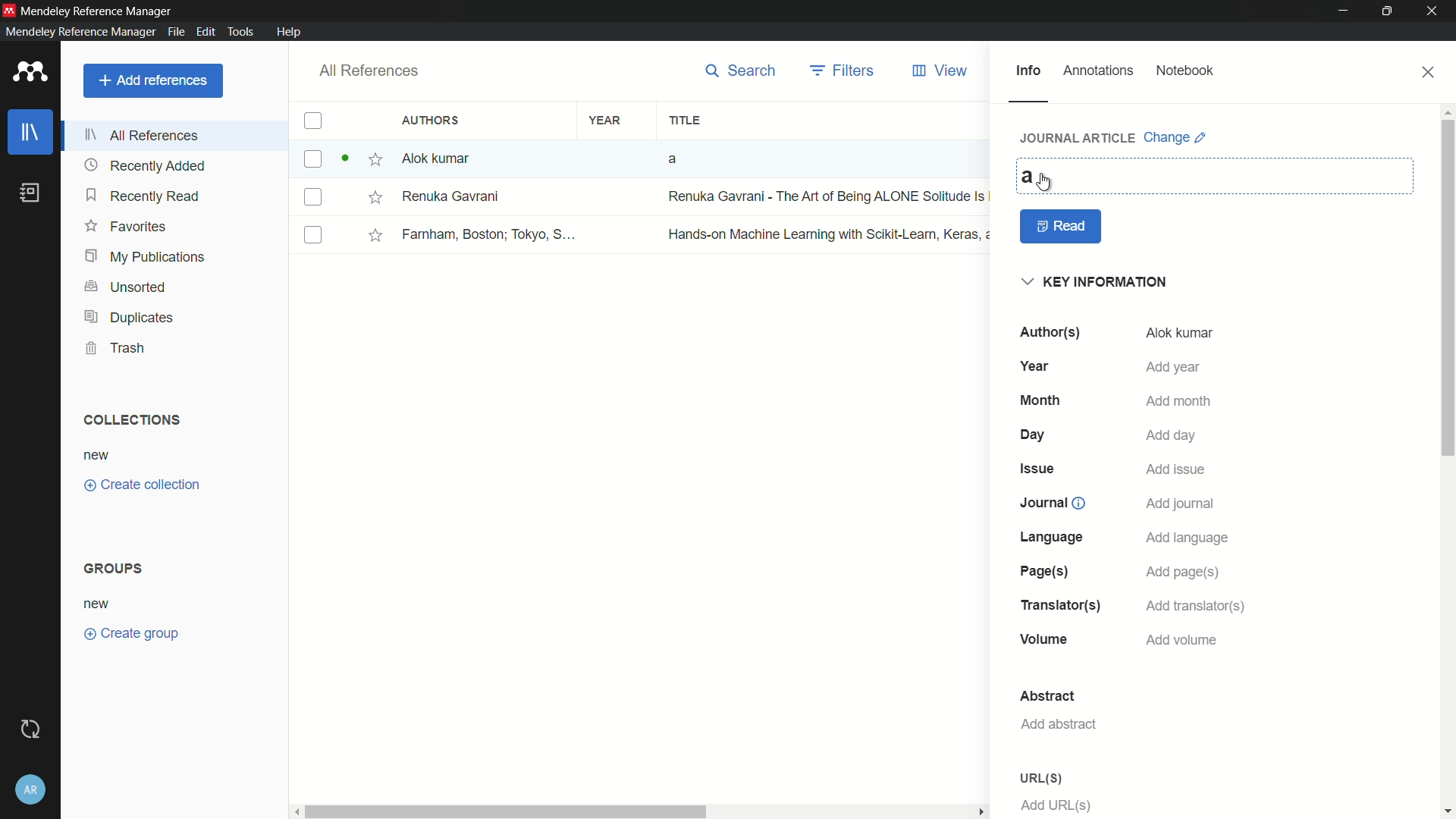  What do you see at coordinates (1390, 11) in the screenshot?
I see `maximize` at bounding box center [1390, 11].